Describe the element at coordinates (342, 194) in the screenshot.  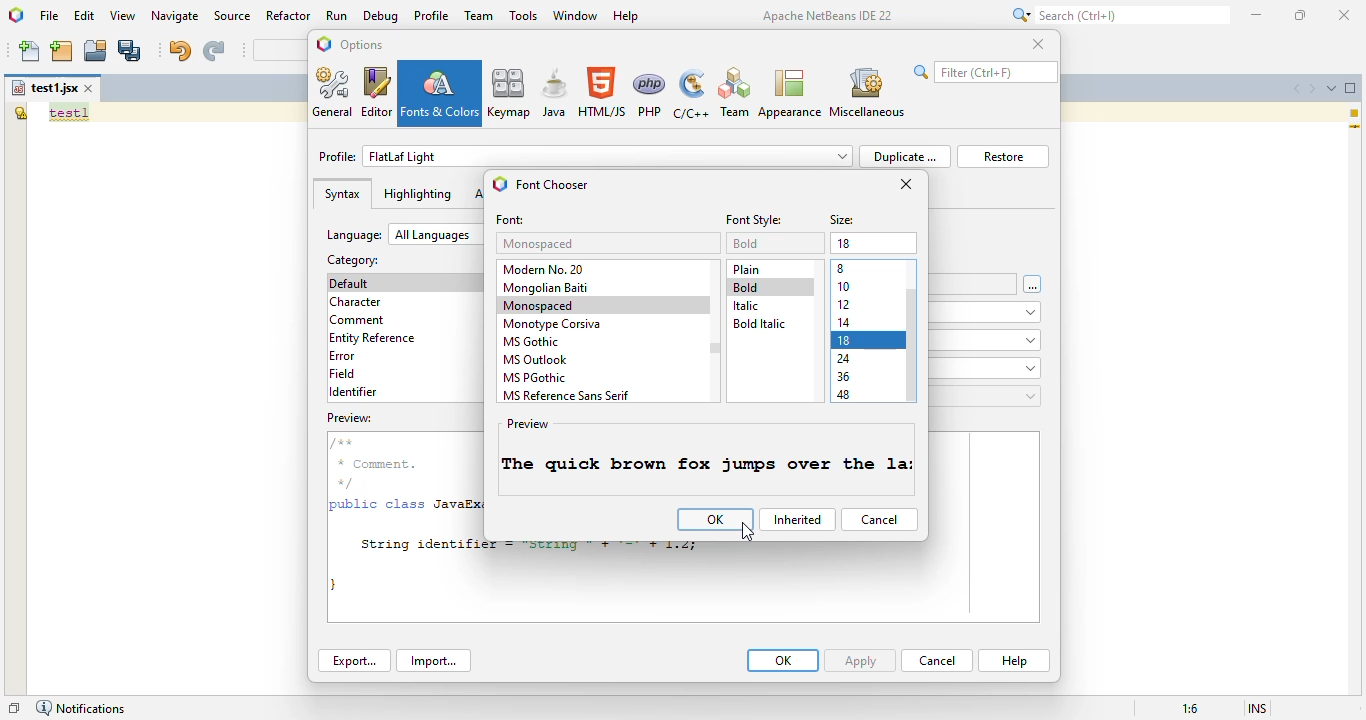
I see `syntax` at that location.